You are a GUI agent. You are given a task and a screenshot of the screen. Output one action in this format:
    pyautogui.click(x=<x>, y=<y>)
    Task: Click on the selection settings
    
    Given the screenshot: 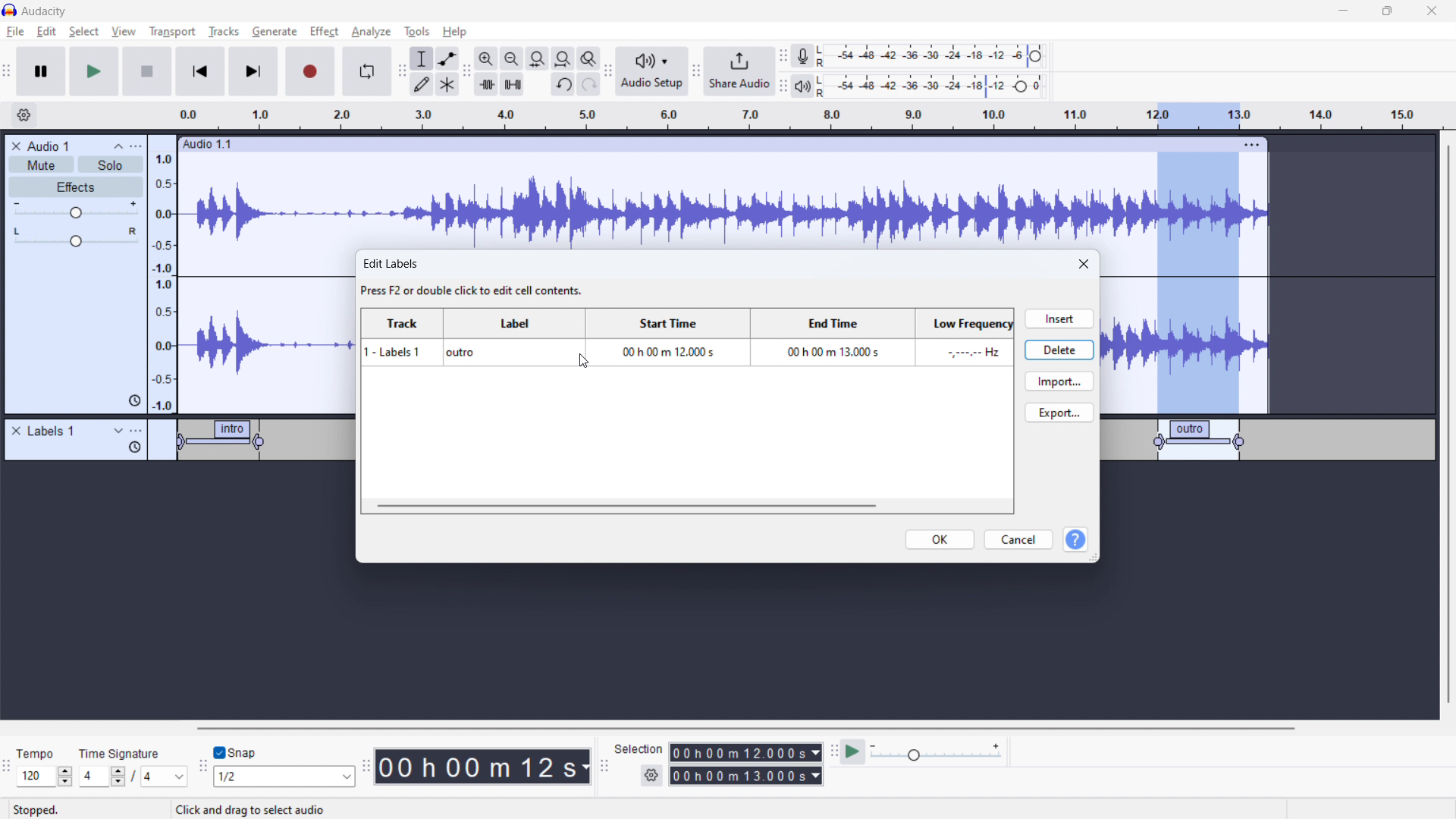 What is the action you would take?
    pyautogui.click(x=652, y=776)
    